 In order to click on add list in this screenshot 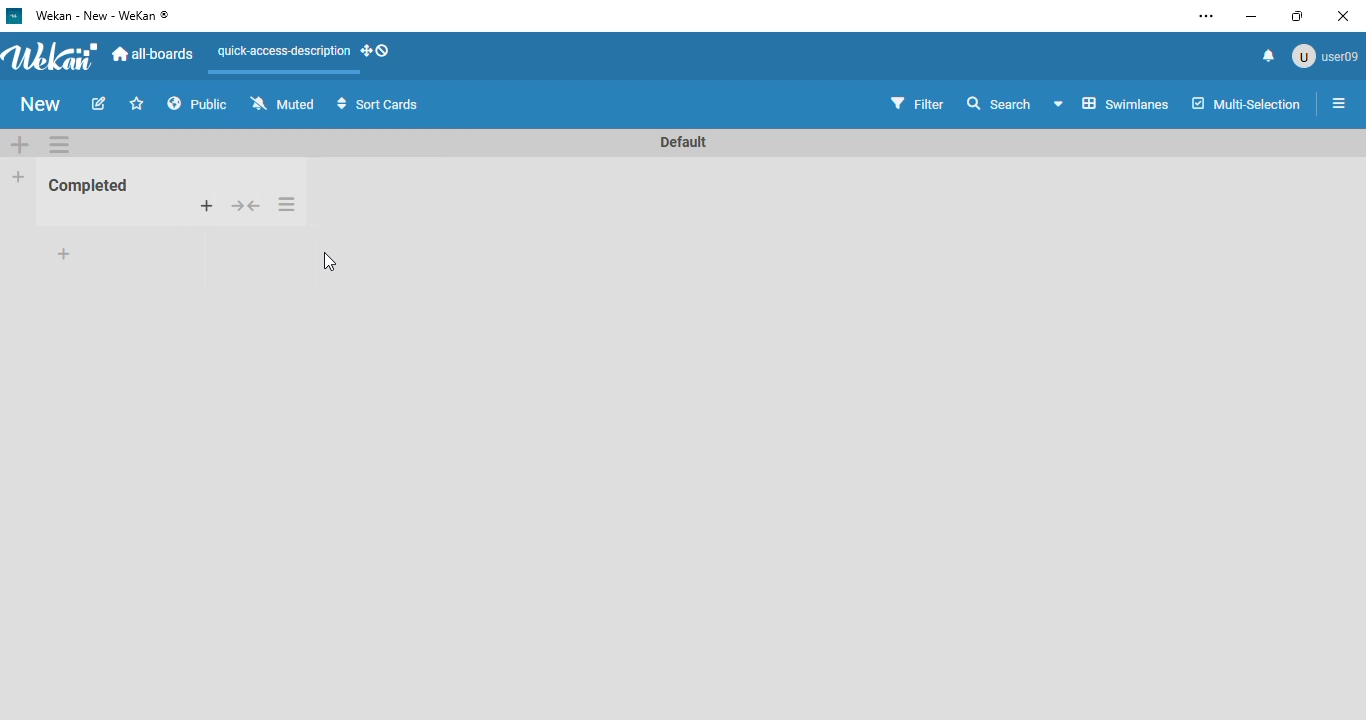, I will do `click(19, 177)`.